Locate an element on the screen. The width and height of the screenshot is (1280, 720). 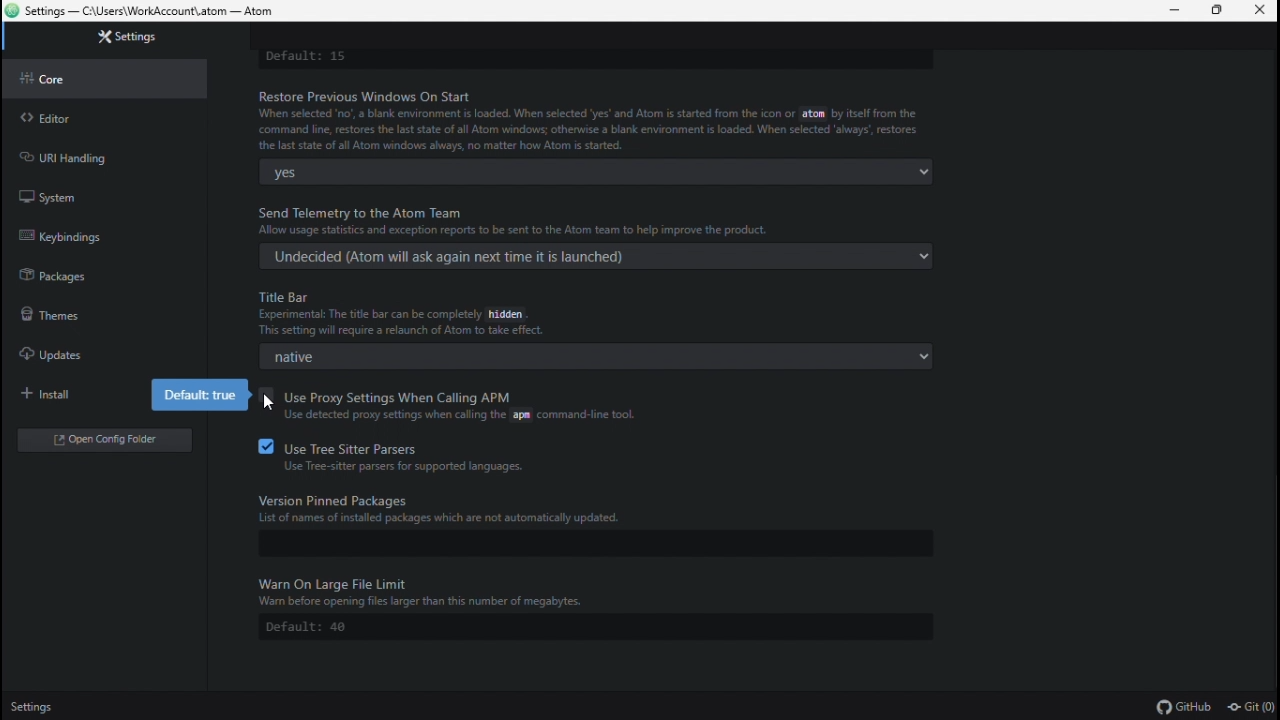
default true is located at coordinates (199, 395).